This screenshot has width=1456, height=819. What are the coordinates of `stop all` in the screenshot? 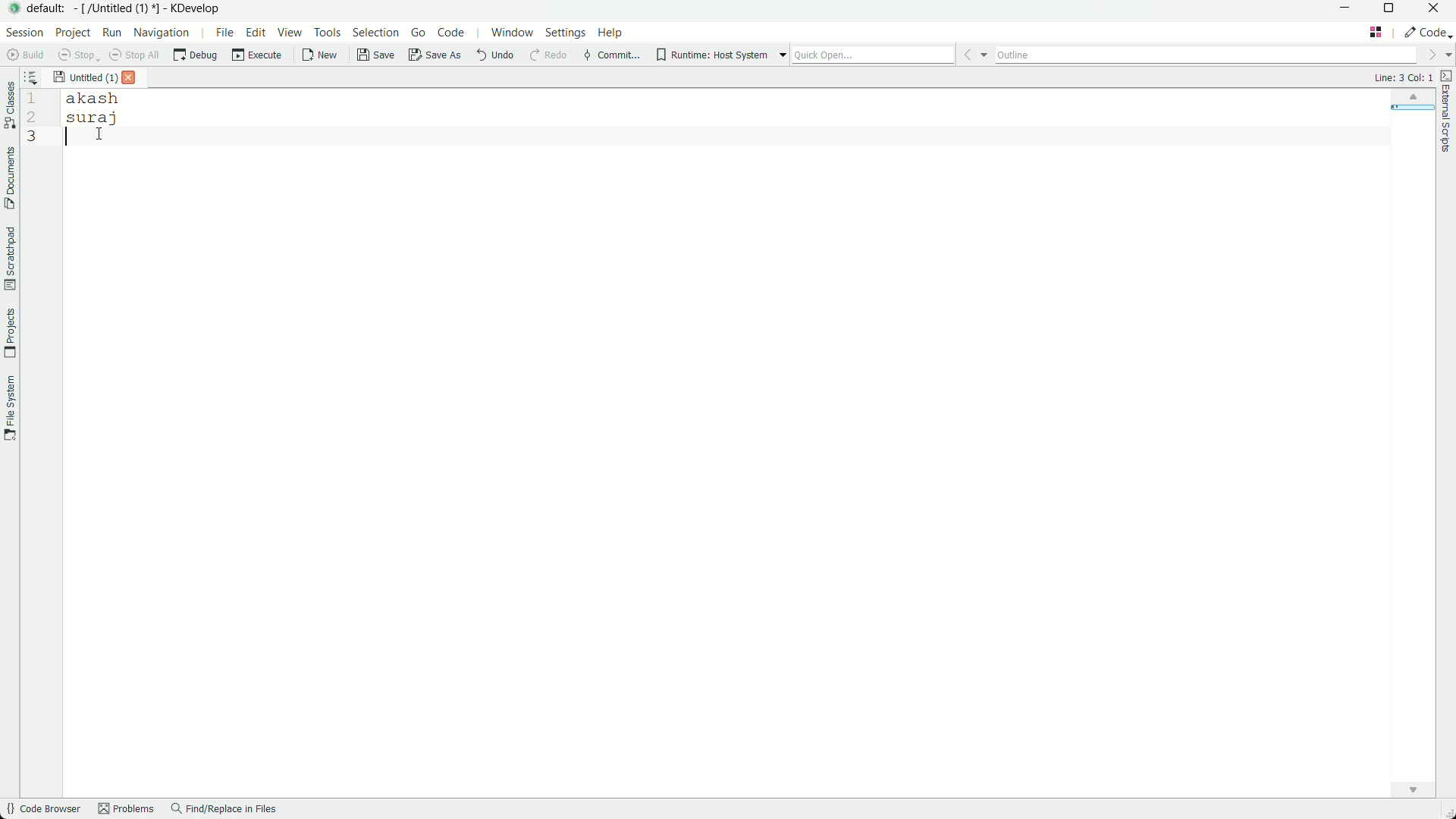 It's located at (133, 55).